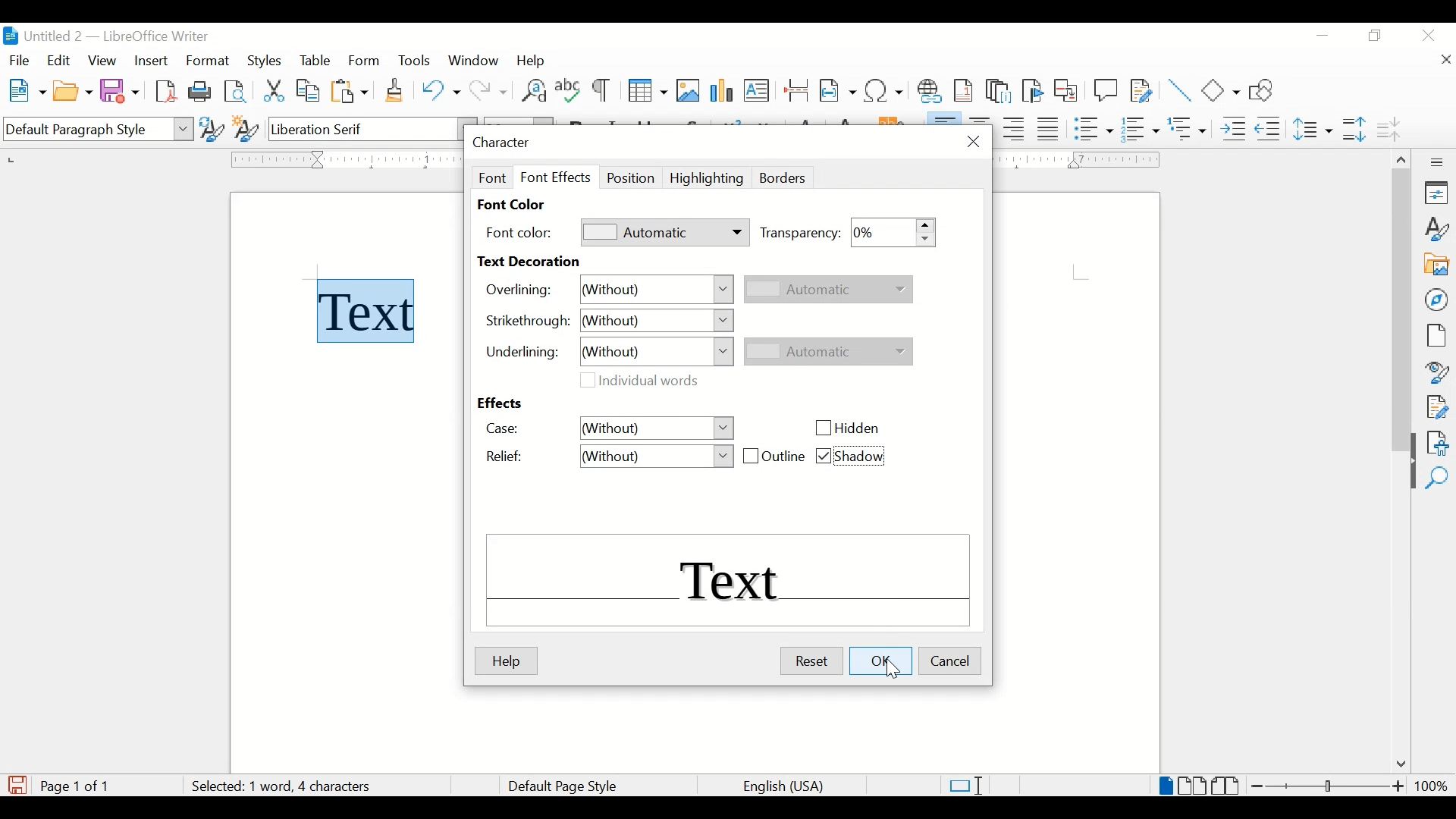 This screenshot has width=1456, height=819. What do you see at coordinates (366, 61) in the screenshot?
I see `form` at bounding box center [366, 61].